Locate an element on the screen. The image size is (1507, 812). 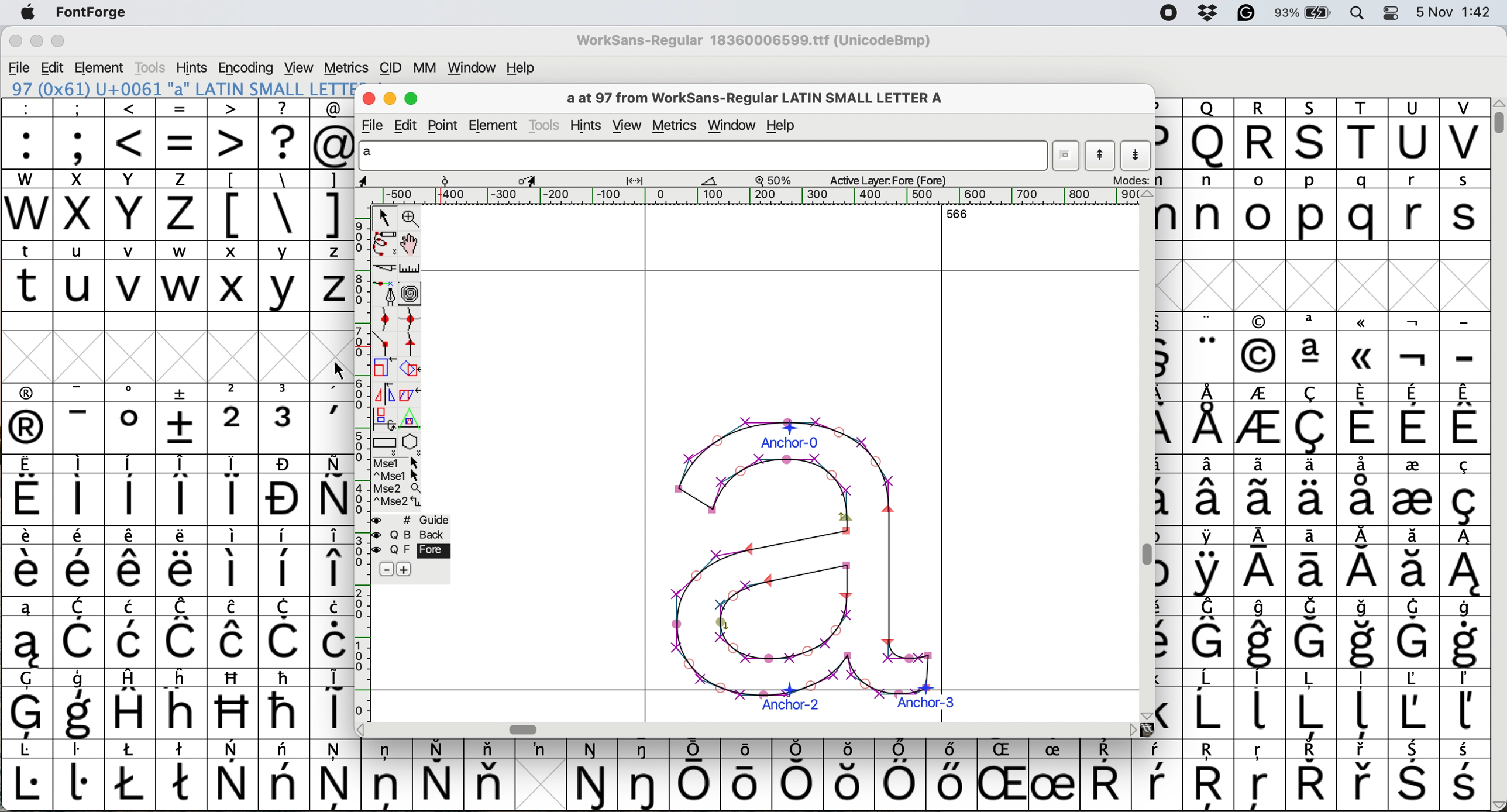
fore is located at coordinates (414, 550).